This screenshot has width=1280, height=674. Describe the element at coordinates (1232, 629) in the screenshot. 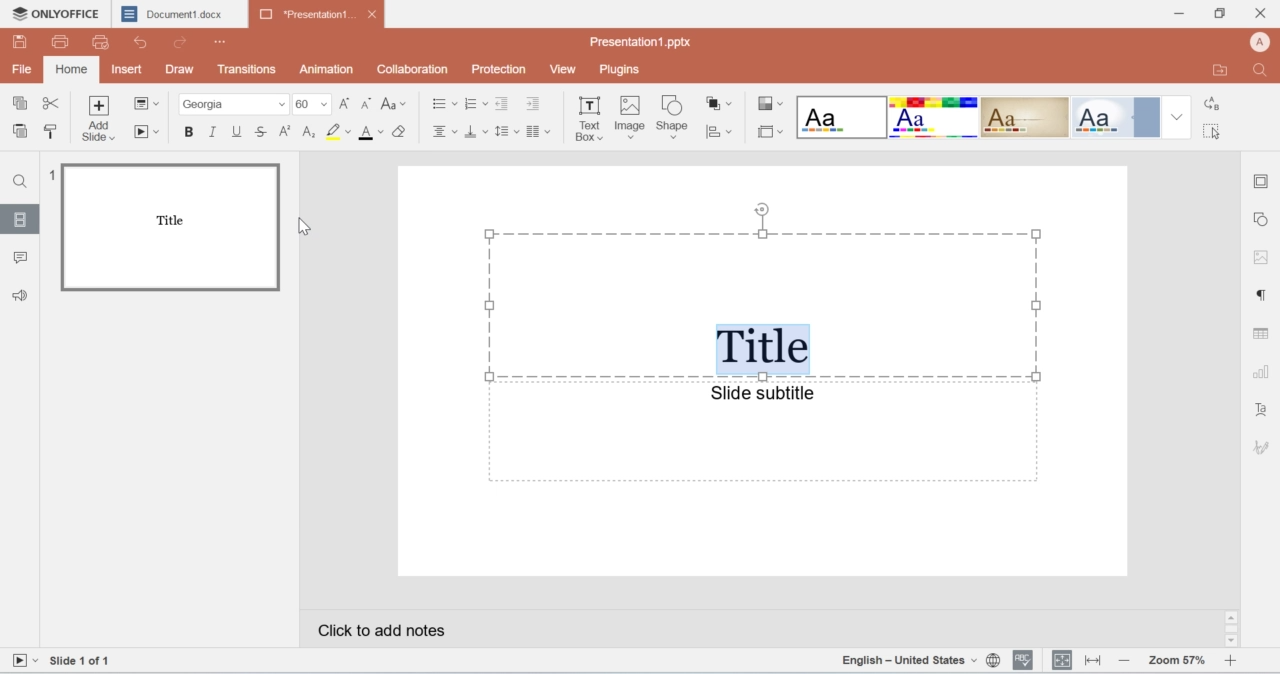

I see `scroll bar` at that location.